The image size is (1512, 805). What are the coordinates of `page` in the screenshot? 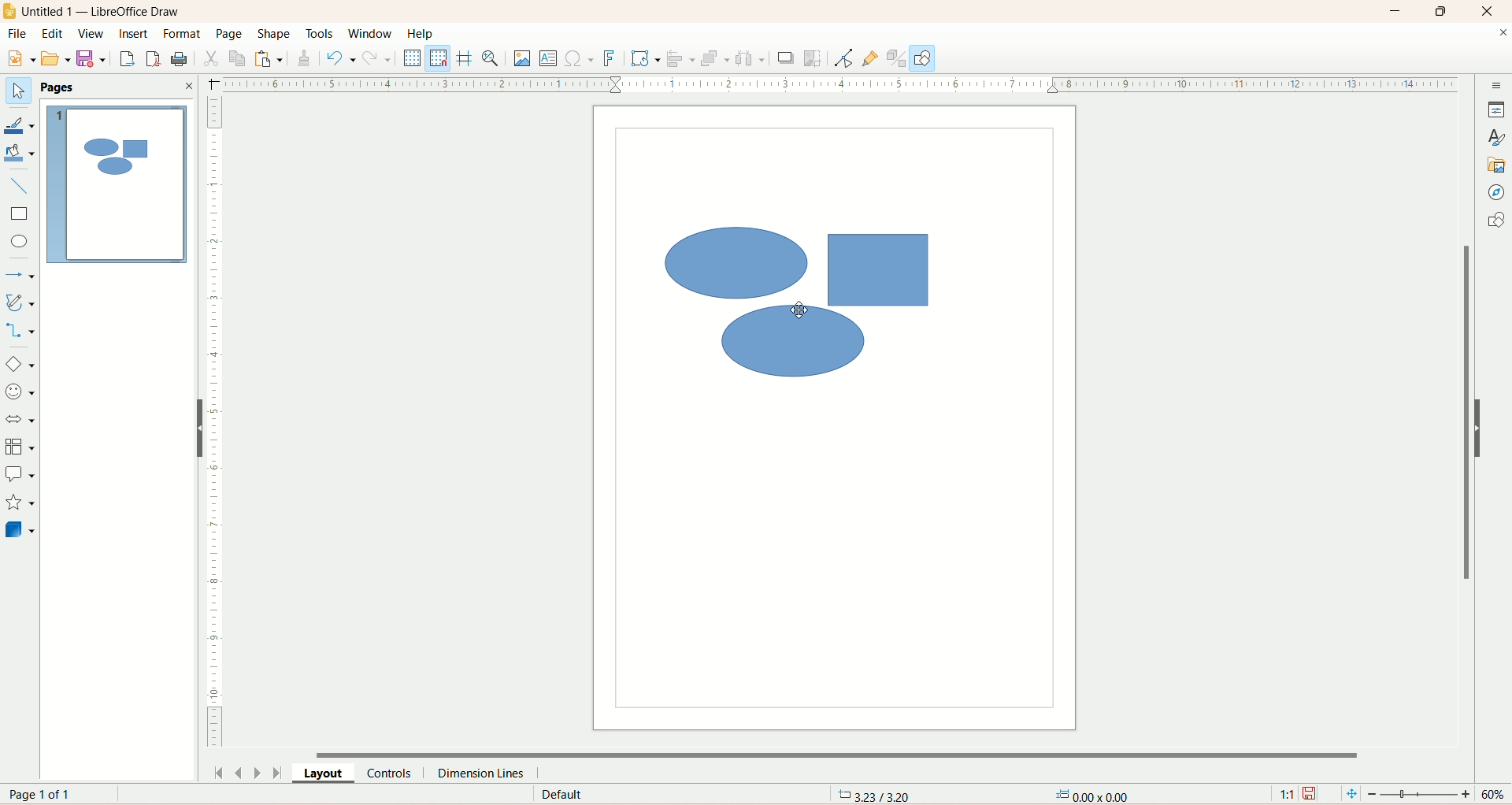 It's located at (53, 796).